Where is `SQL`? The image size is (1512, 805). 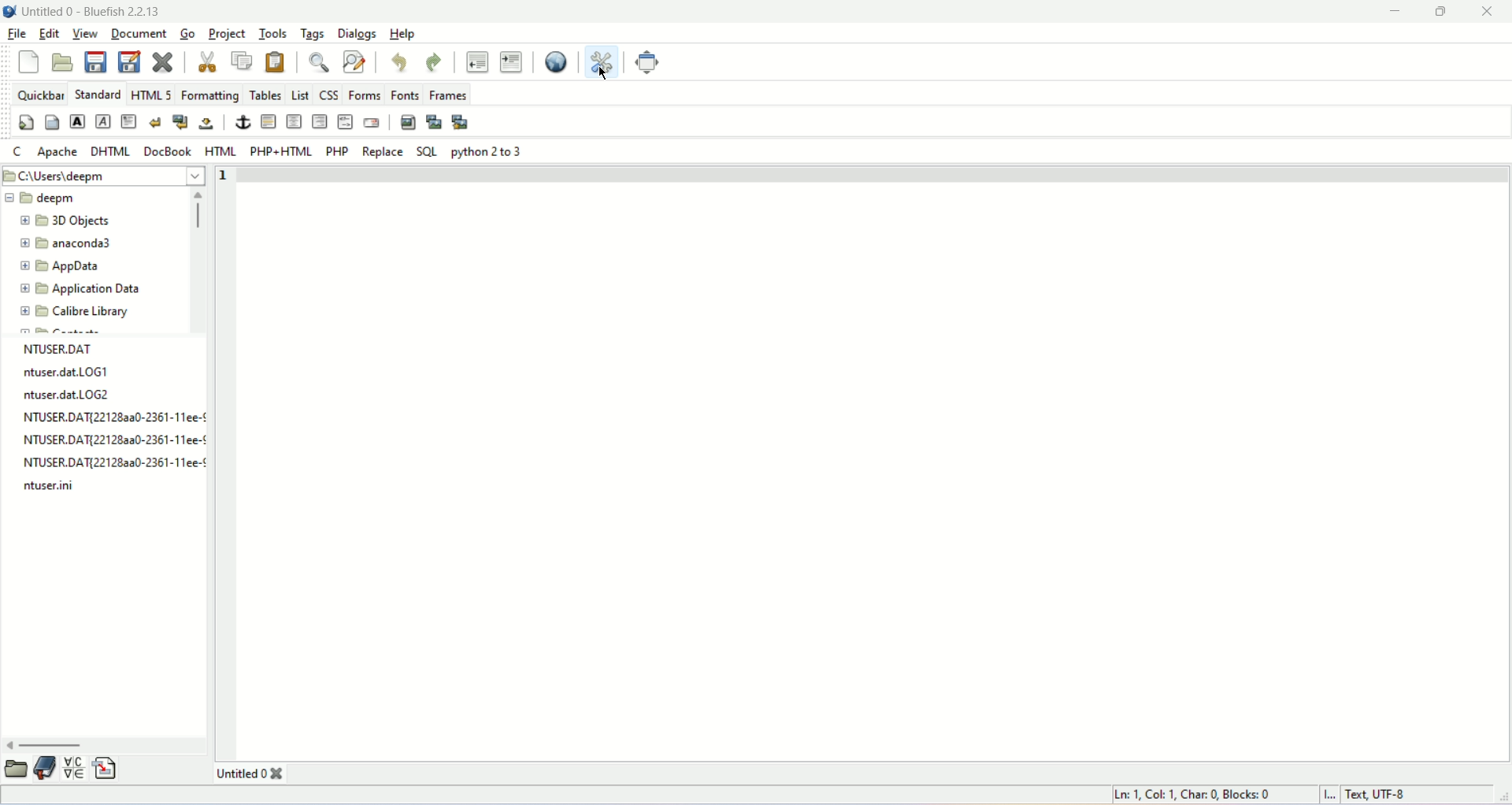 SQL is located at coordinates (427, 151).